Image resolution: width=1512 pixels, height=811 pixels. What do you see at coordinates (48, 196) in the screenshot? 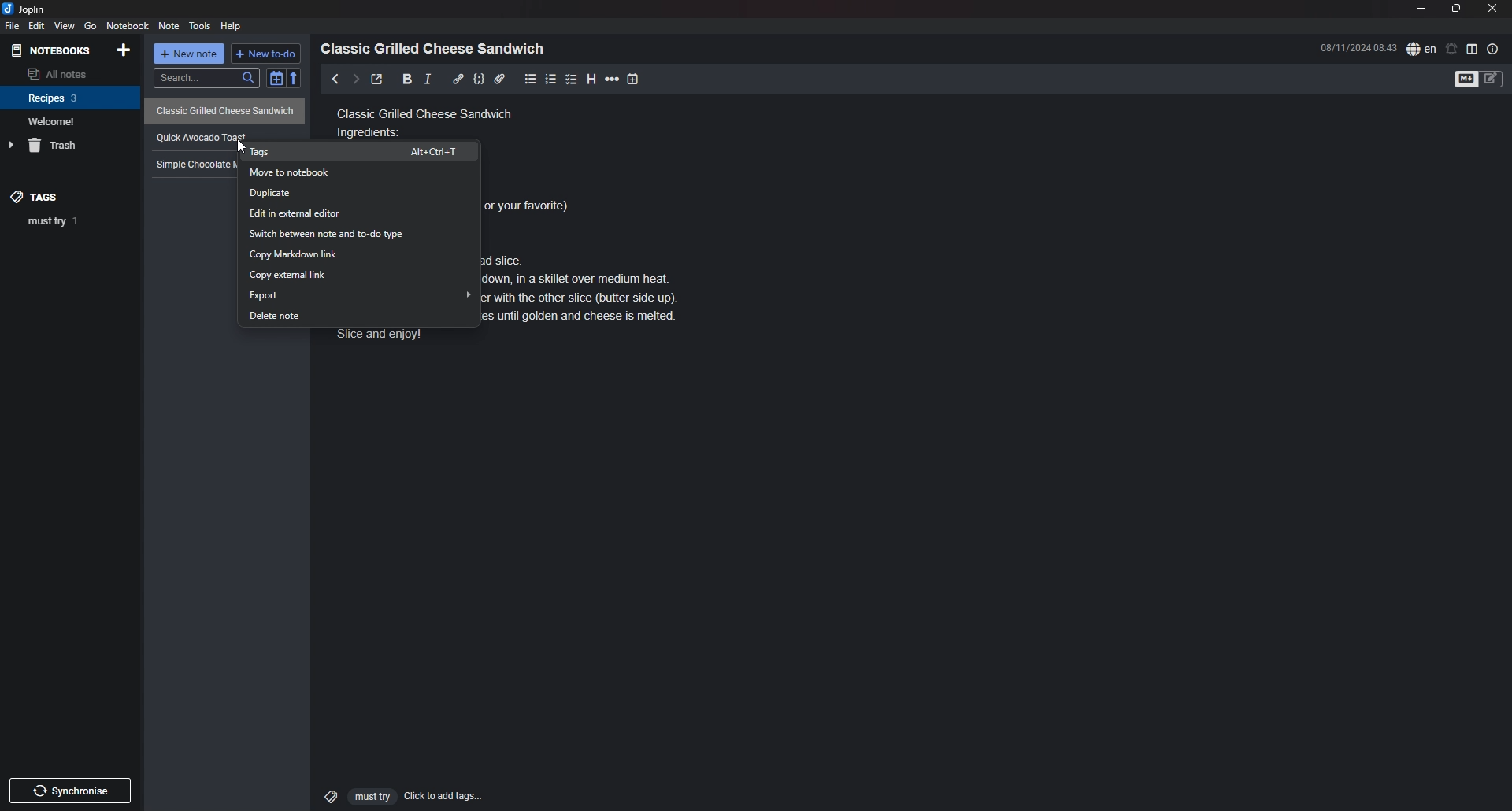
I see `tags` at bounding box center [48, 196].